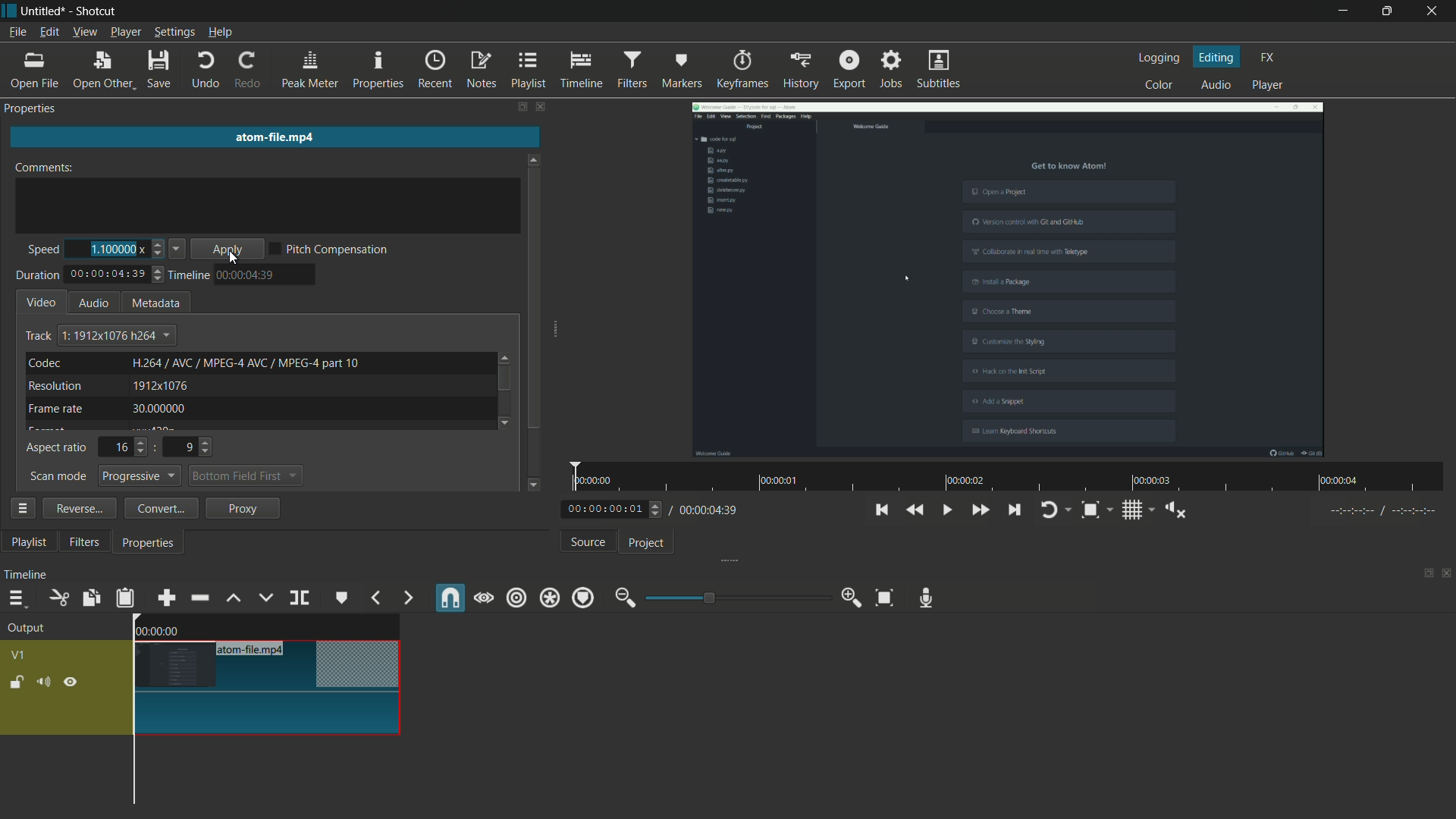 The width and height of the screenshot is (1456, 819). Describe the element at coordinates (142, 476) in the screenshot. I see `progressive` at that location.